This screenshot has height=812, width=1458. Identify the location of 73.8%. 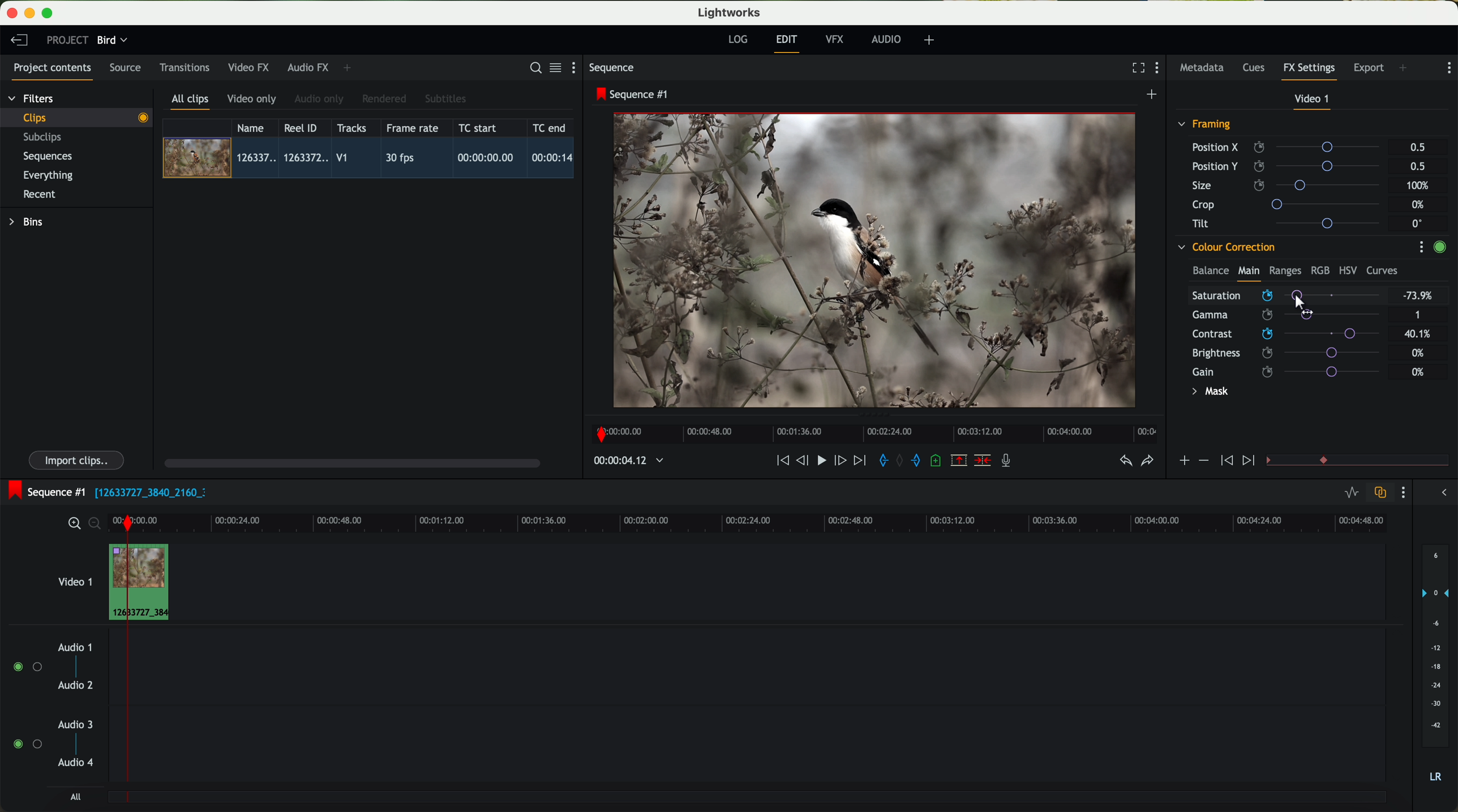
(1418, 296).